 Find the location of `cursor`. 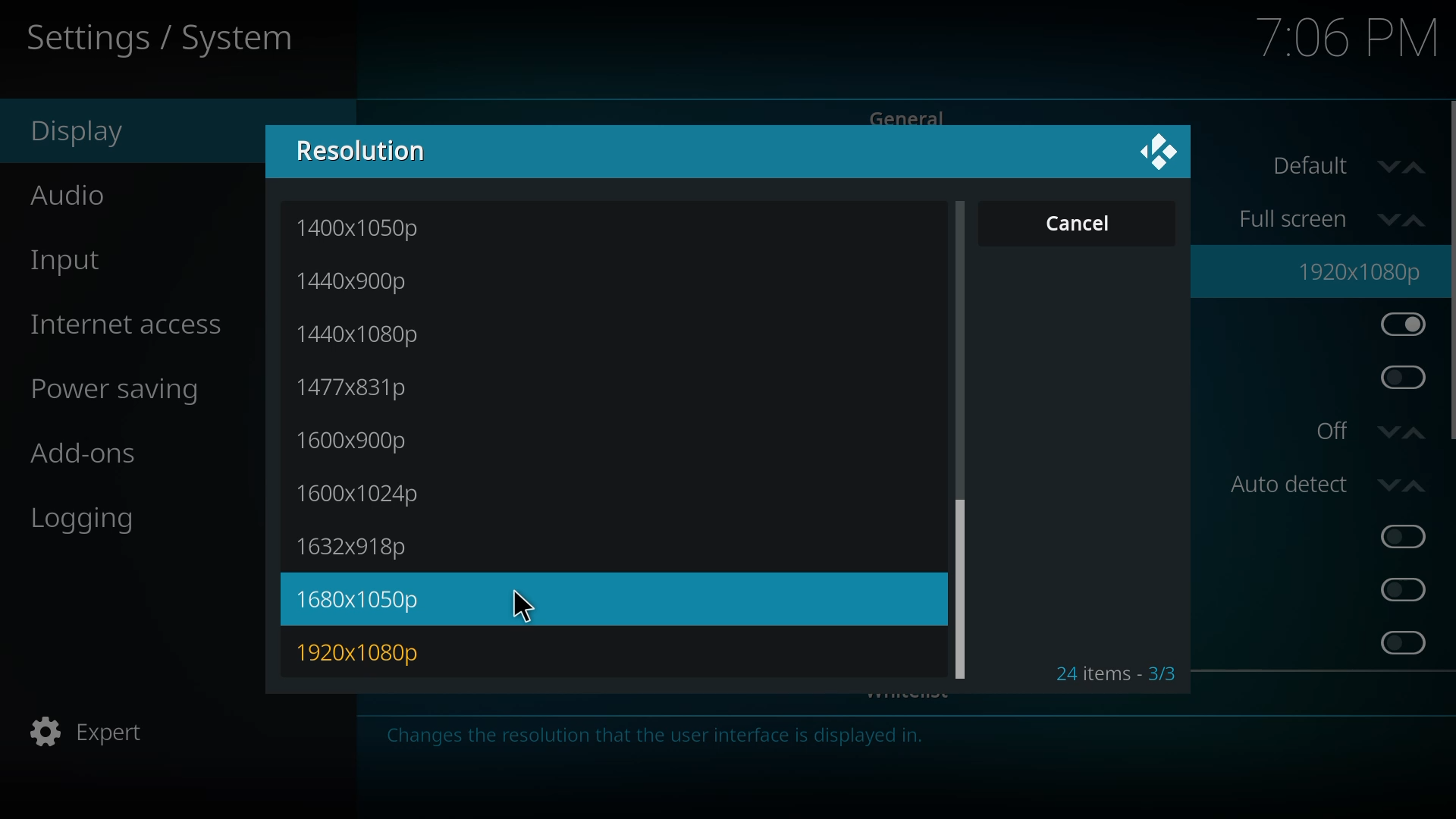

cursor is located at coordinates (524, 603).